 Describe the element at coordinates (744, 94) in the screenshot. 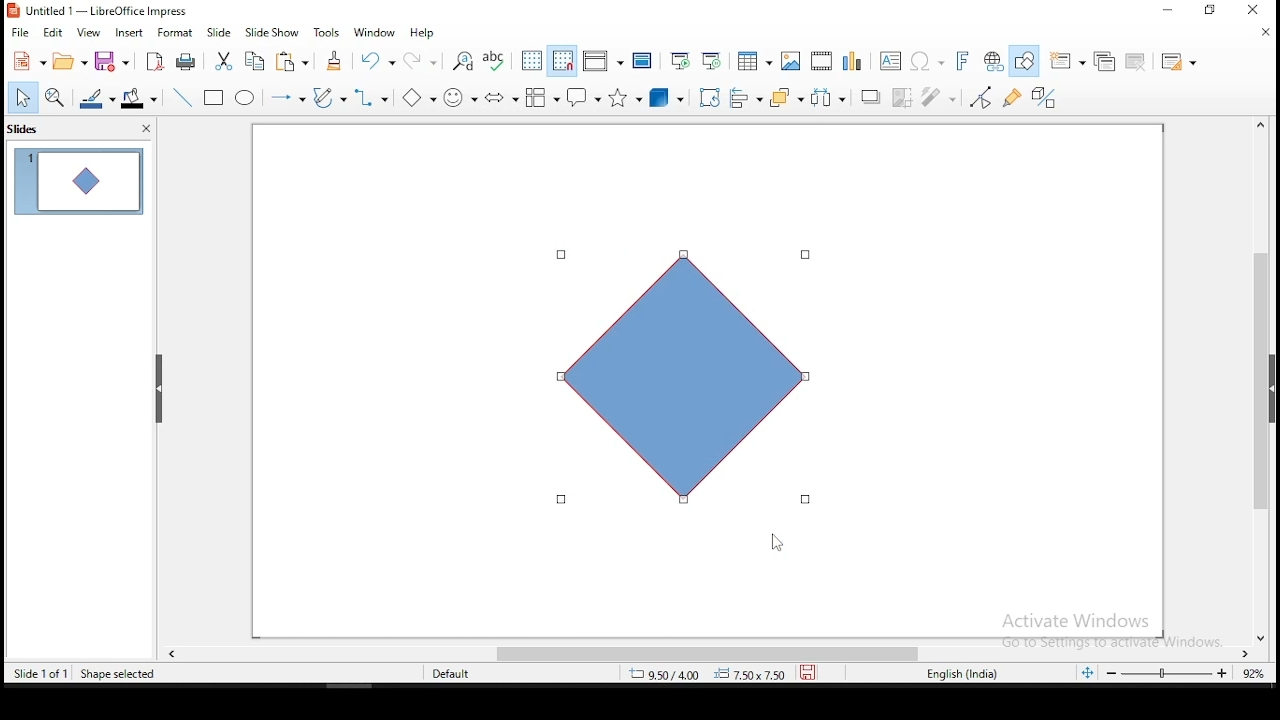

I see `align objects` at that location.